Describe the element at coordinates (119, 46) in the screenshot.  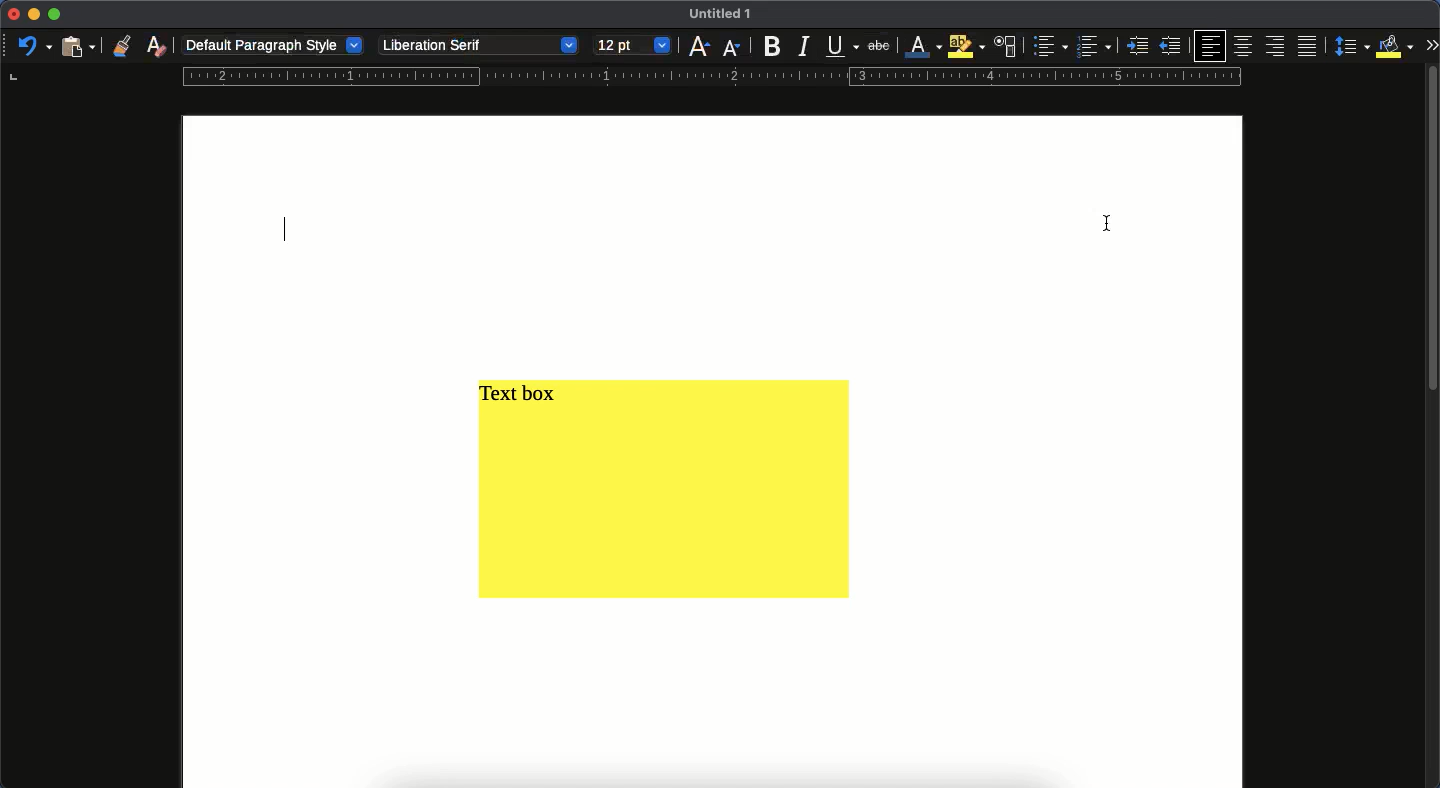
I see `clone formatting` at that location.